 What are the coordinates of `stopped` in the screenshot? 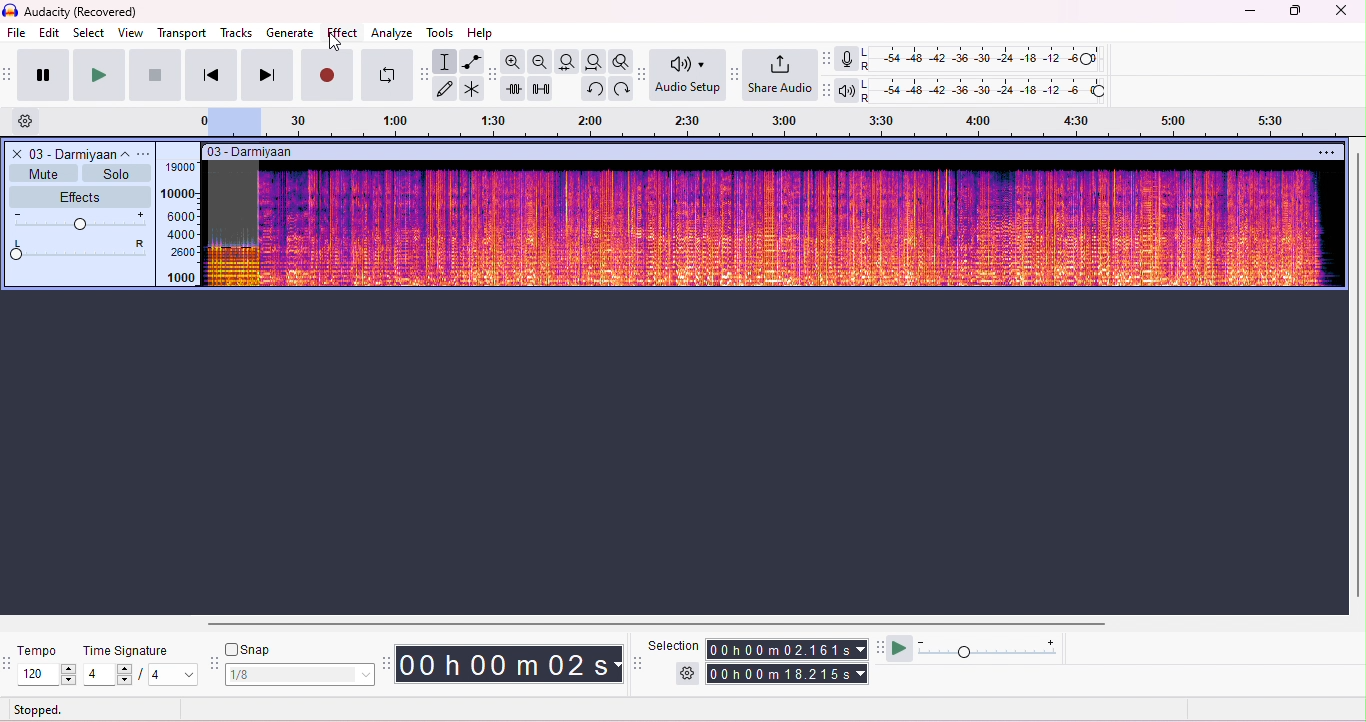 It's located at (38, 709).